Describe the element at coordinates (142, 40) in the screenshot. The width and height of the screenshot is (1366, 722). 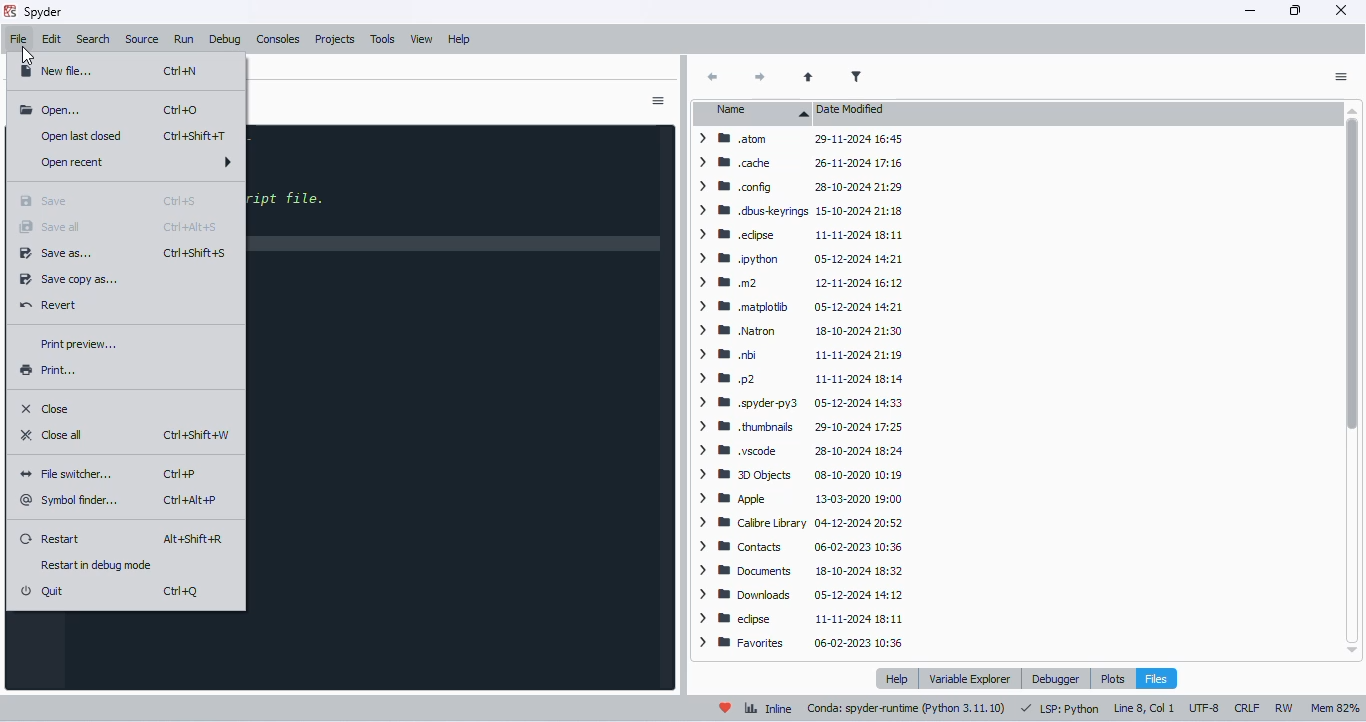
I see `source` at that location.